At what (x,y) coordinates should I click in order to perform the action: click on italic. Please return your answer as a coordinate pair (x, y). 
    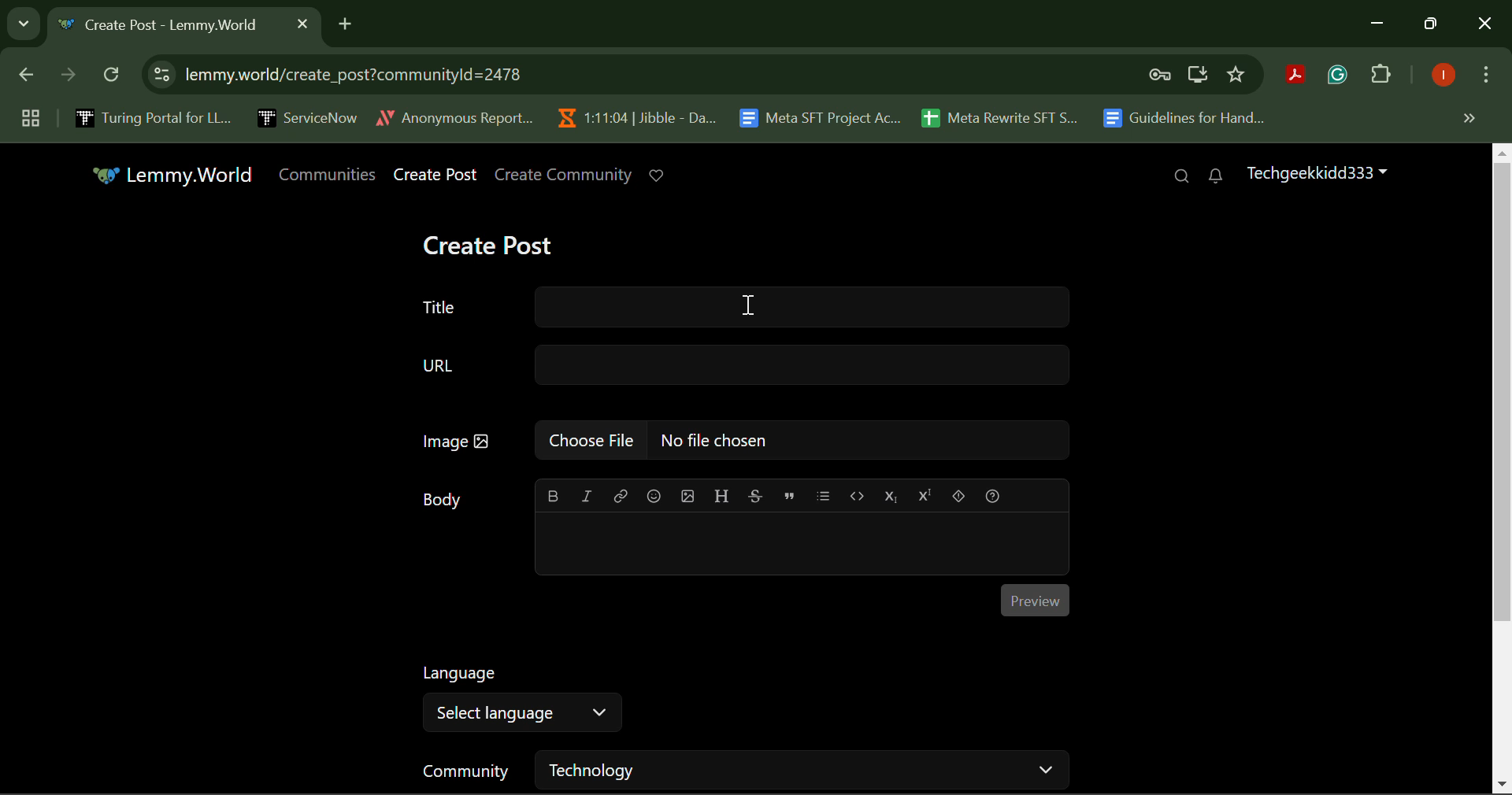
    Looking at the image, I should click on (586, 494).